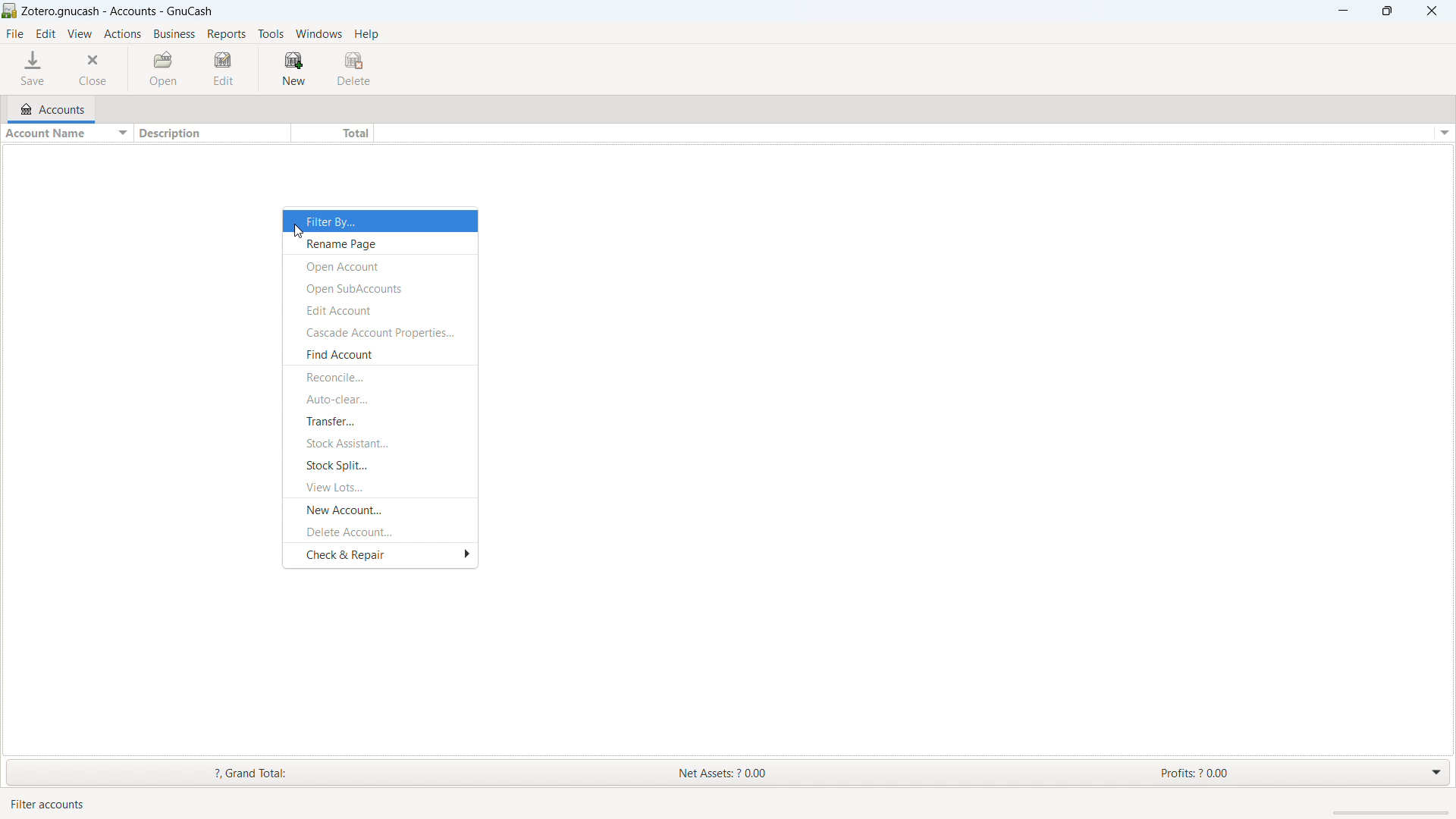  Describe the element at coordinates (1442, 133) in the screenshot. I see `options` at that location.